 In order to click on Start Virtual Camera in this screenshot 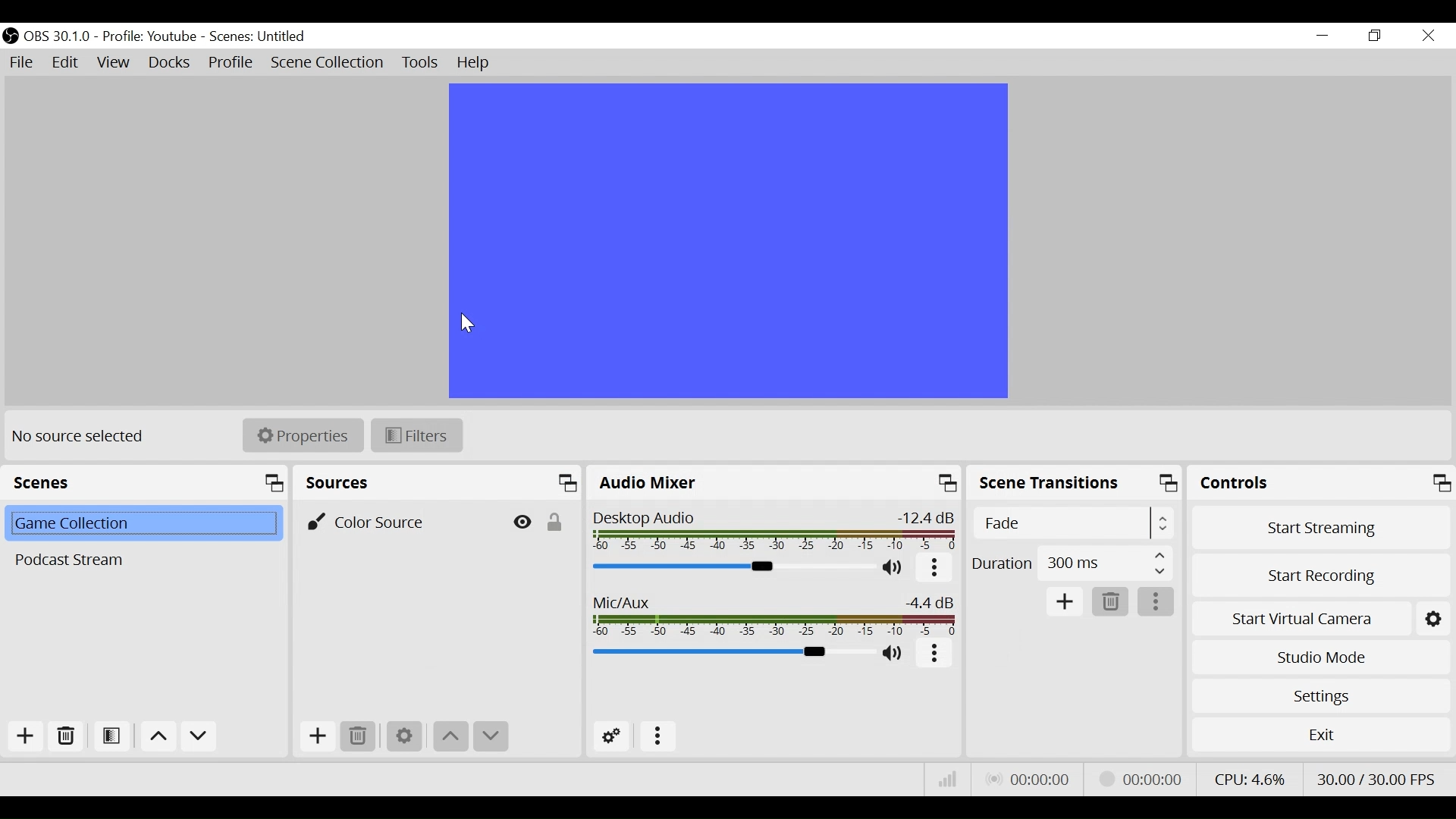, I will do `click(1300, 617)`.